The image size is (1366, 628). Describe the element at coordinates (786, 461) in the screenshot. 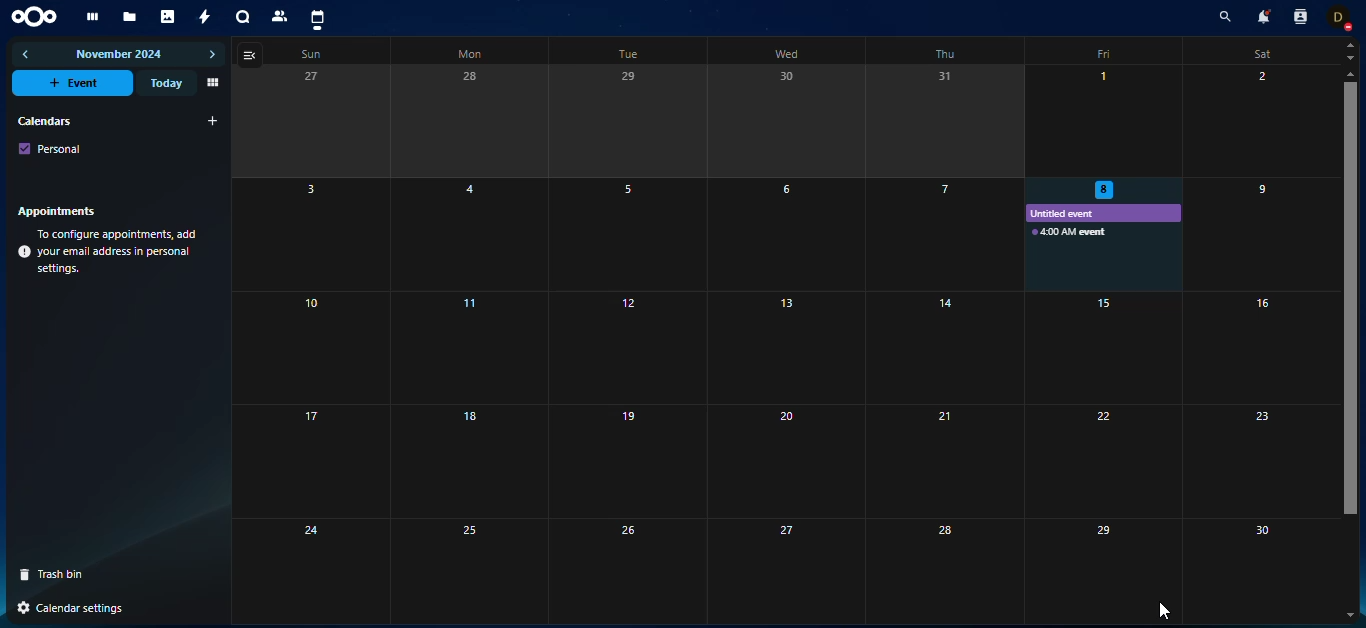

I see `20` at that location.